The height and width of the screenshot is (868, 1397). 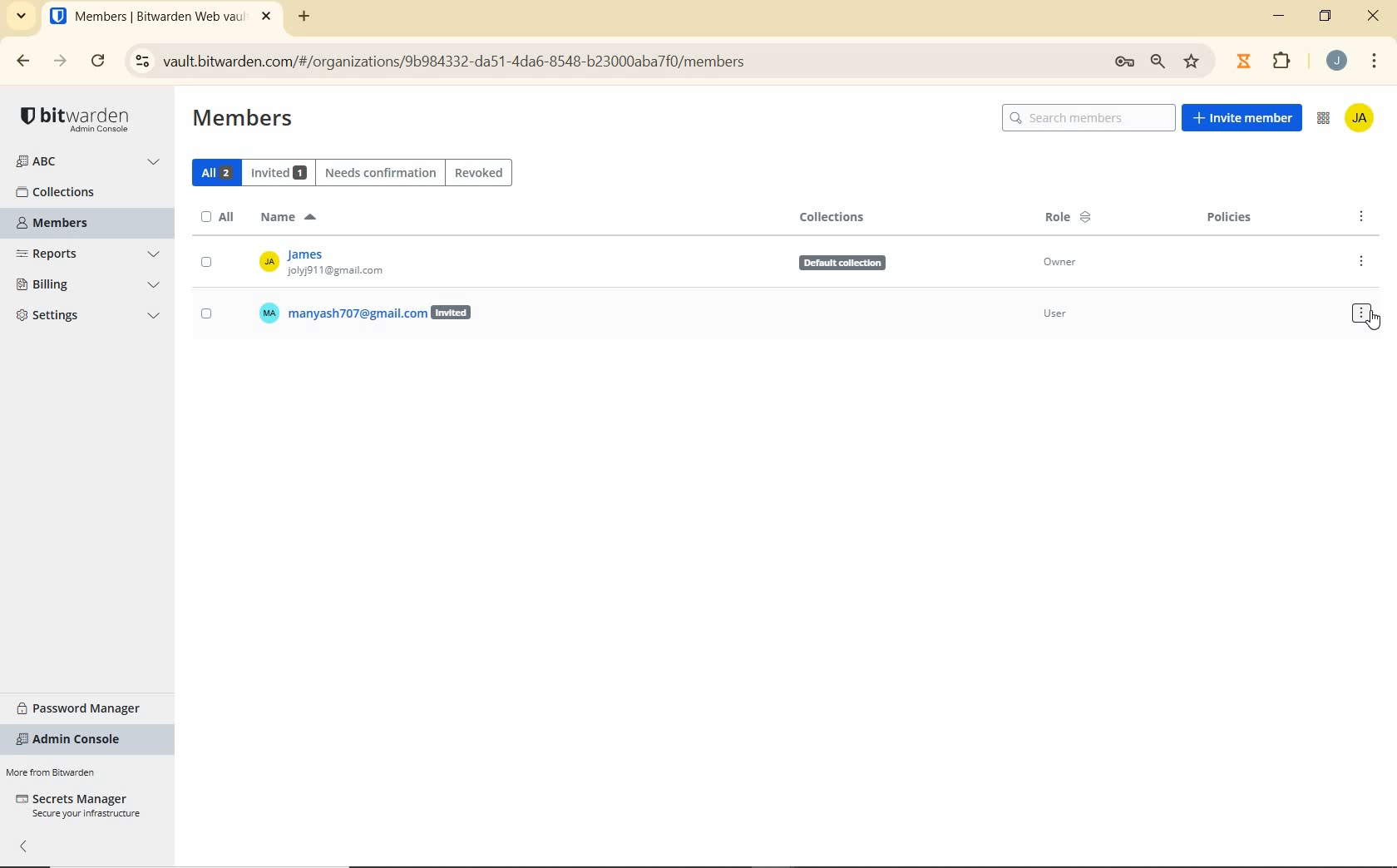 What do you see at coordinates (281, 171) in the screenshot?
I see `INVITED` at bounding box center [281, 171].